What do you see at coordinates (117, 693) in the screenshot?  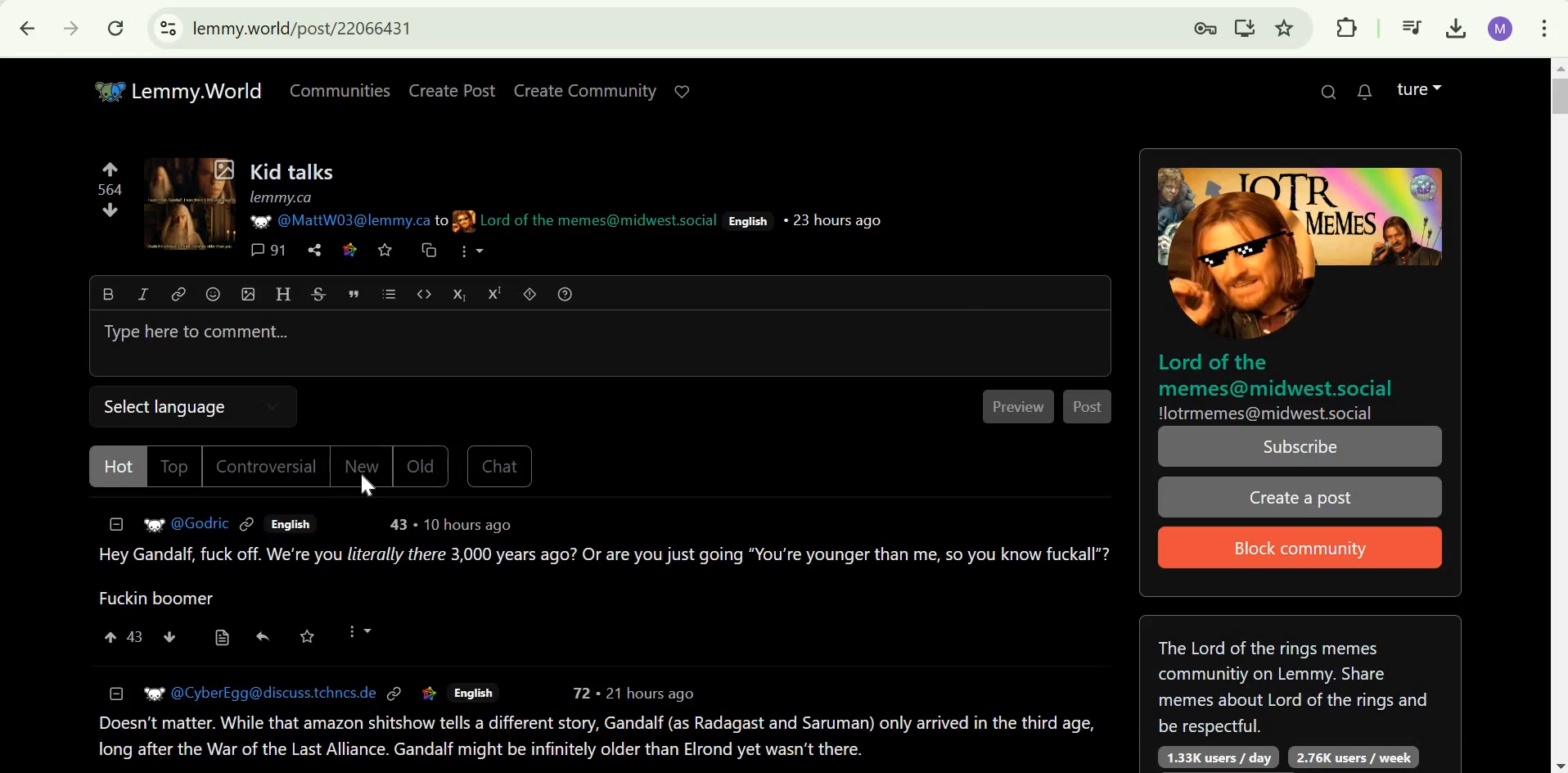 I see `collapse` at bounding box center [117, 693].